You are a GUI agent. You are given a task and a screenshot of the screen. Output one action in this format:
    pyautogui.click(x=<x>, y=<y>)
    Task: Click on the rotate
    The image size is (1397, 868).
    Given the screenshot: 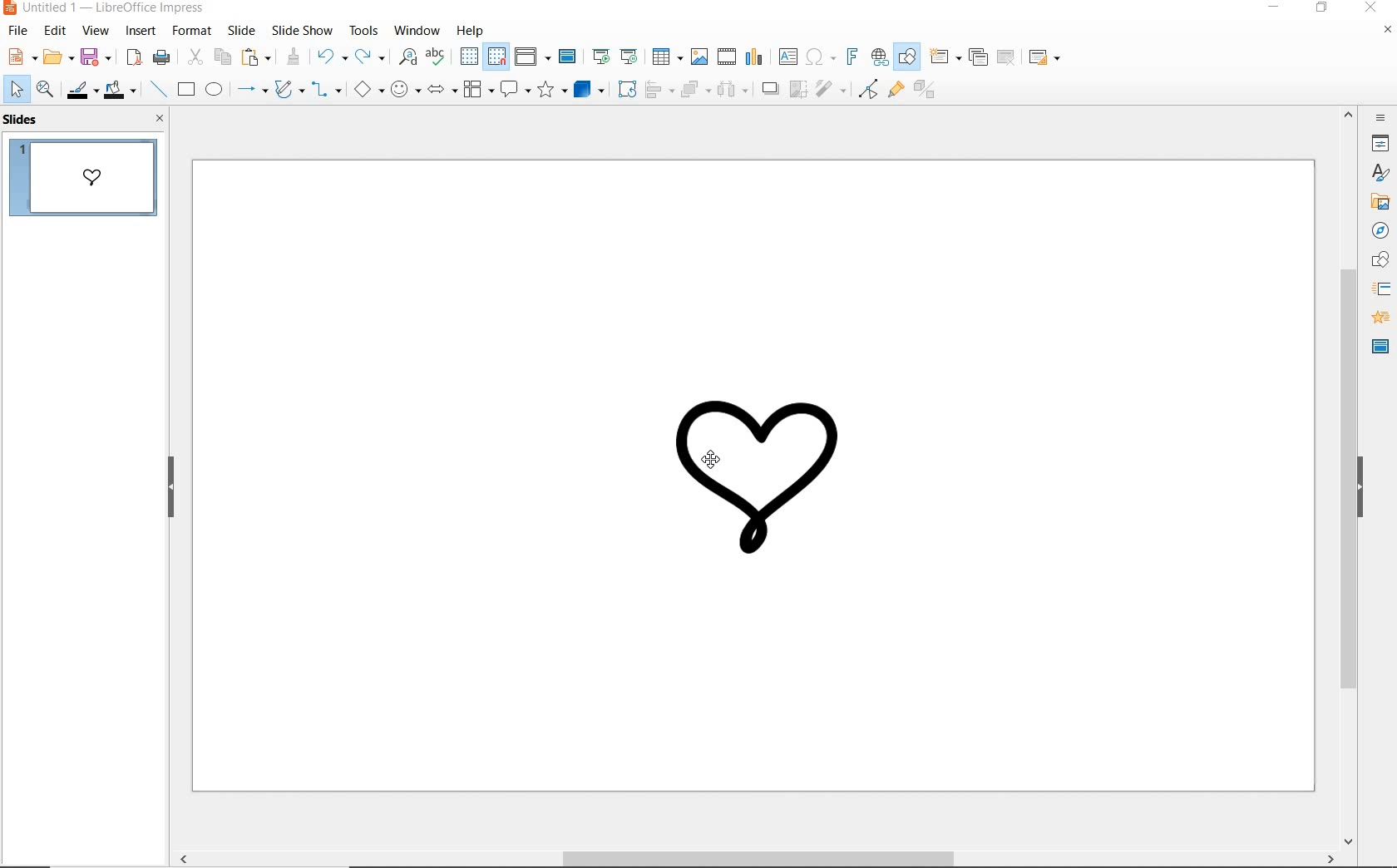 What is the action you would take?
    pyautogui.click(x=627, y=89)
    